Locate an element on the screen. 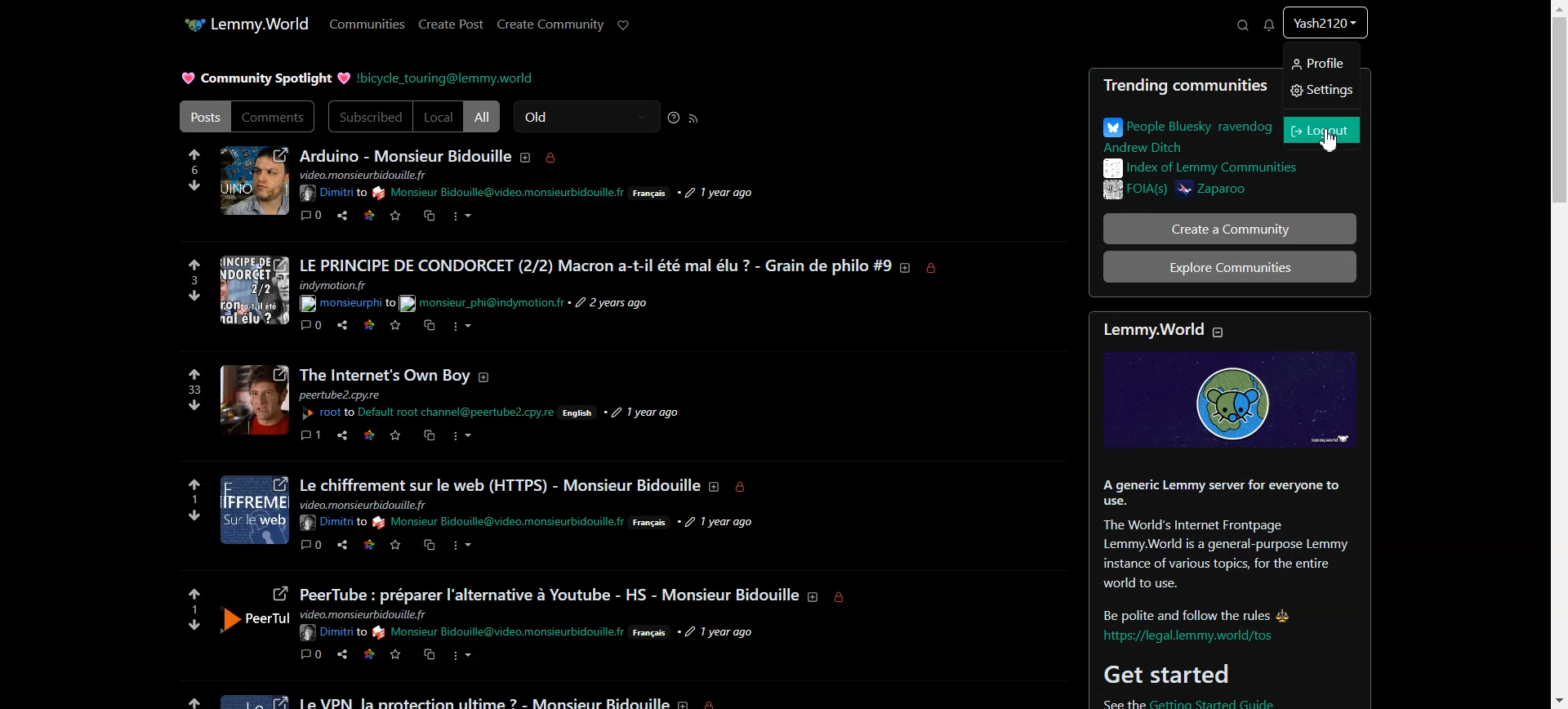 The image size is (1568, 709). hyperlink is located at coordinates (1192, 637).